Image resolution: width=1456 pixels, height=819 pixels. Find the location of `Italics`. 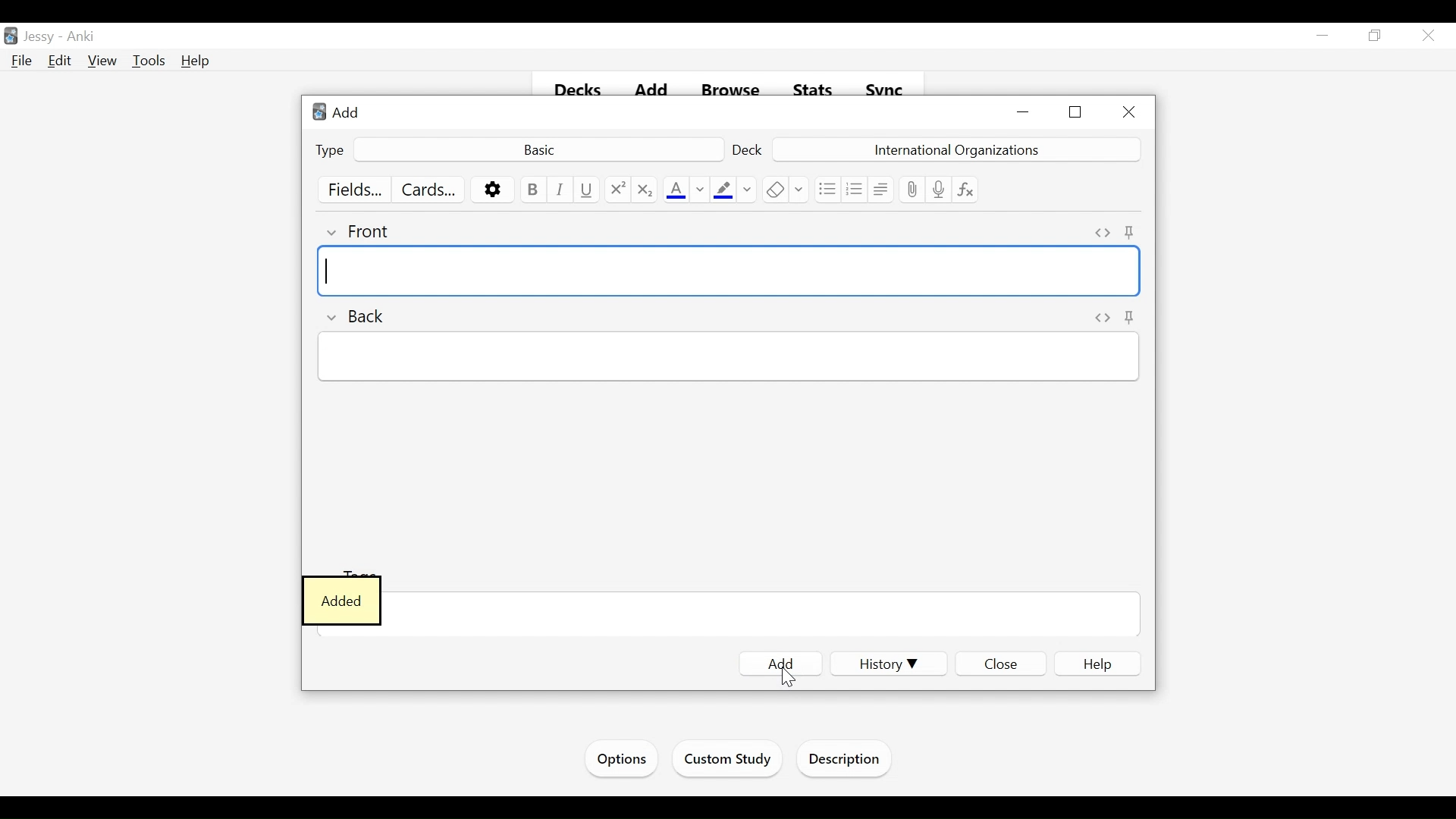

Italics is located at coordinates (560, 190).